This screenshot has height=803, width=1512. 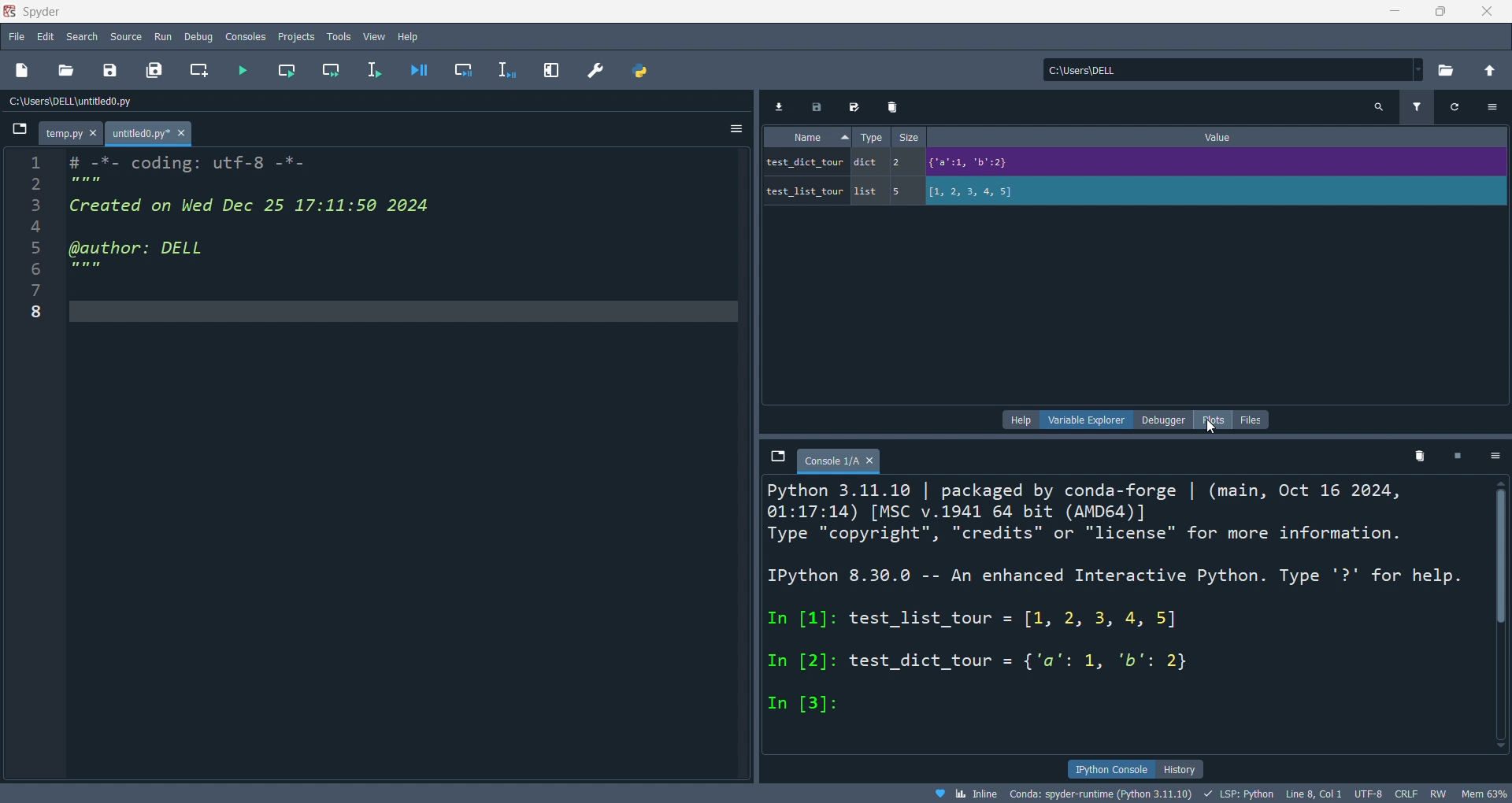 I want to click on new cell, so click(x=198, y=70).